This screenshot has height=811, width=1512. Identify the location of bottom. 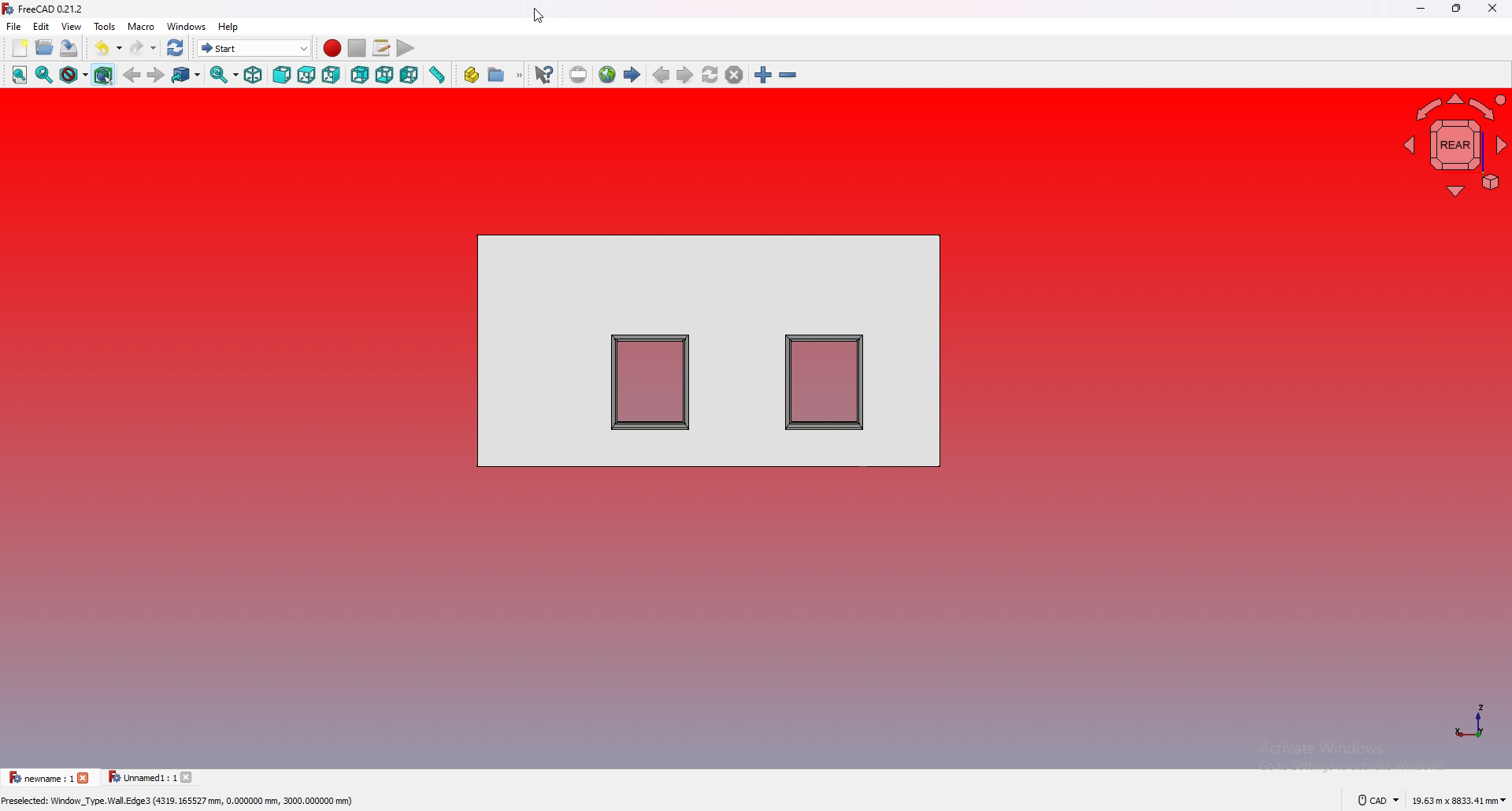
(385, 75).